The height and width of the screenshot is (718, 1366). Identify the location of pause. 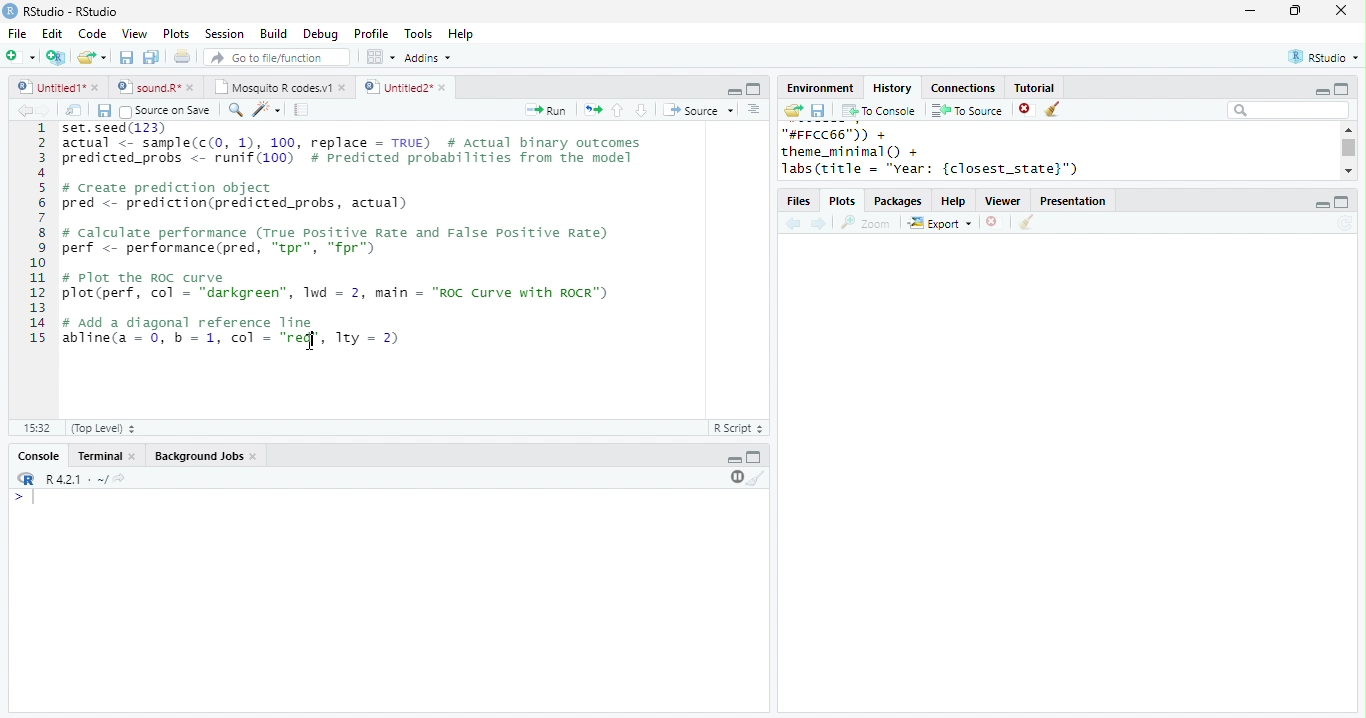
(735, 477).